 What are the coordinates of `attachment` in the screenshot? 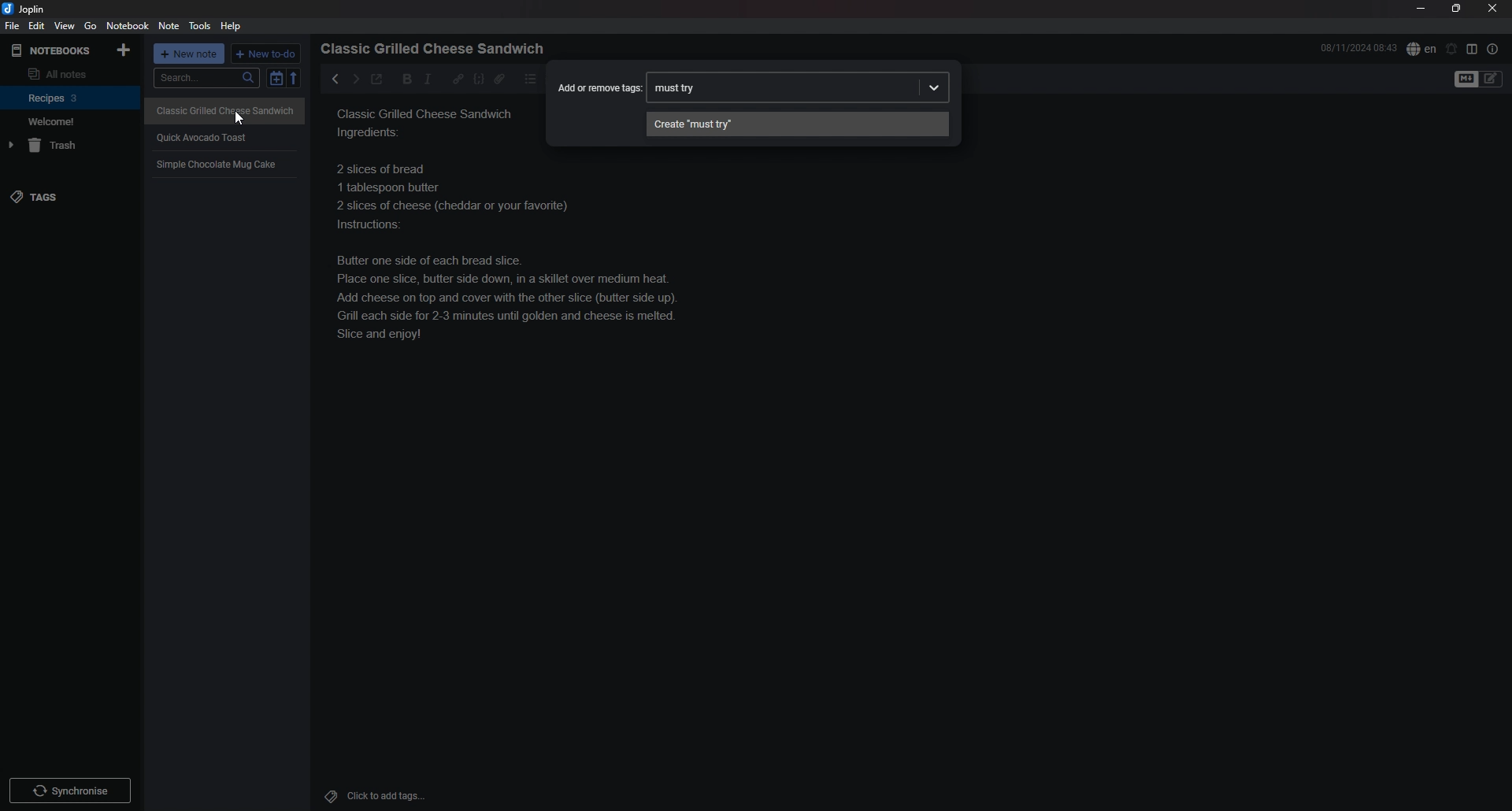 It's located at (499, 79).